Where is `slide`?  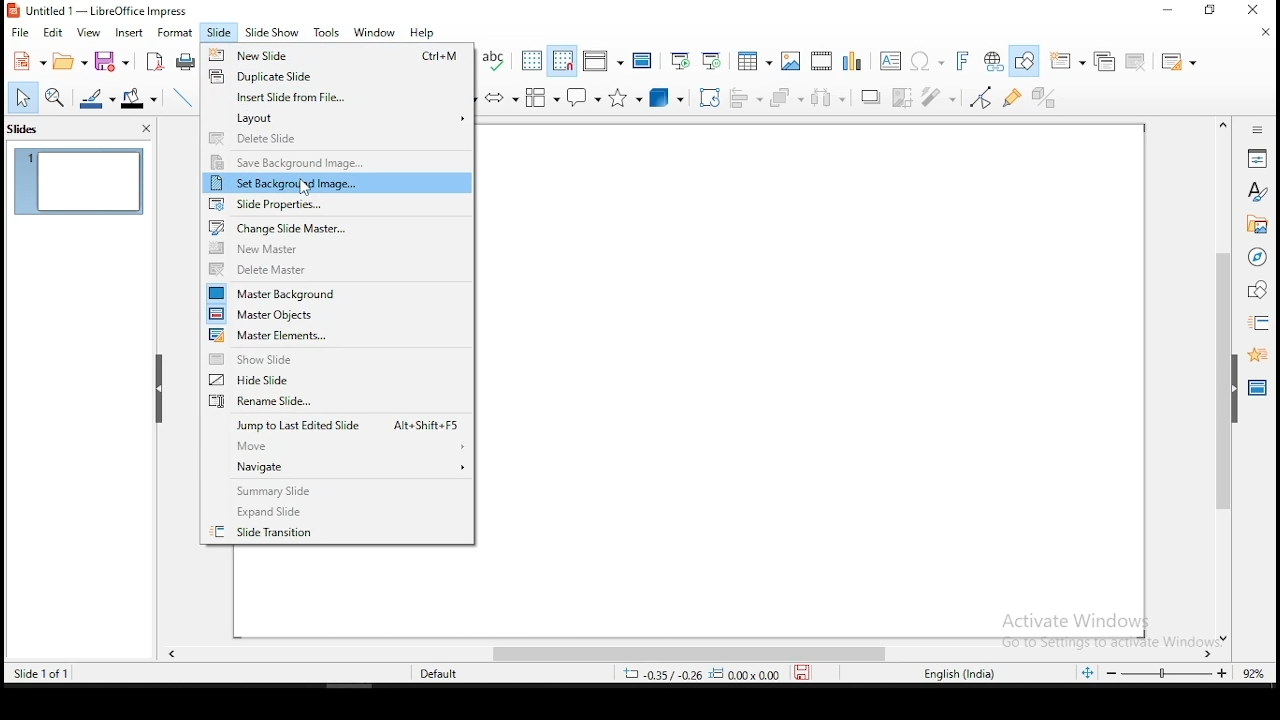
slide is located at coordinates (78, 181).